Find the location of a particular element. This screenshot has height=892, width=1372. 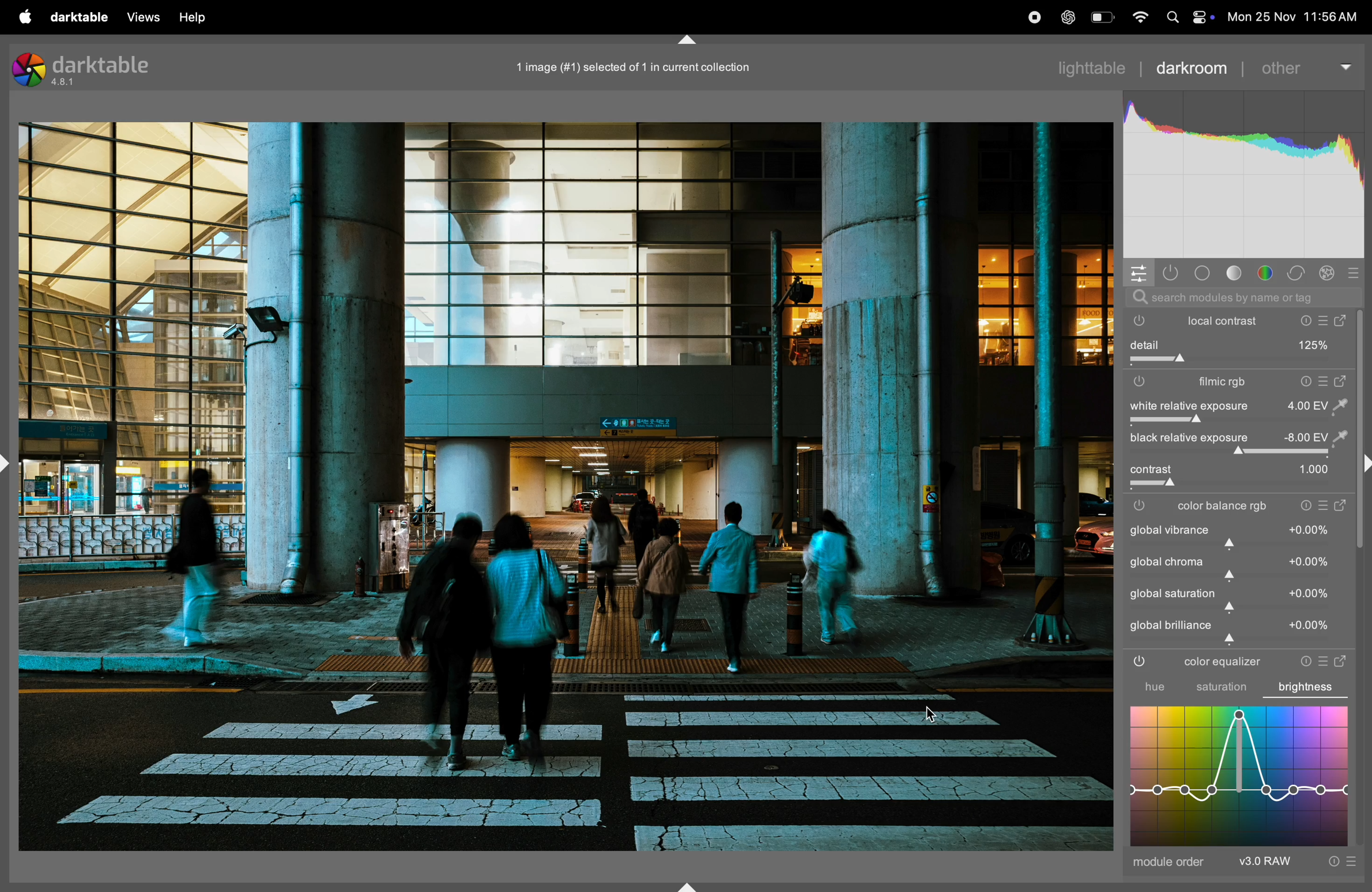

views is located at coordinates (142, 17).